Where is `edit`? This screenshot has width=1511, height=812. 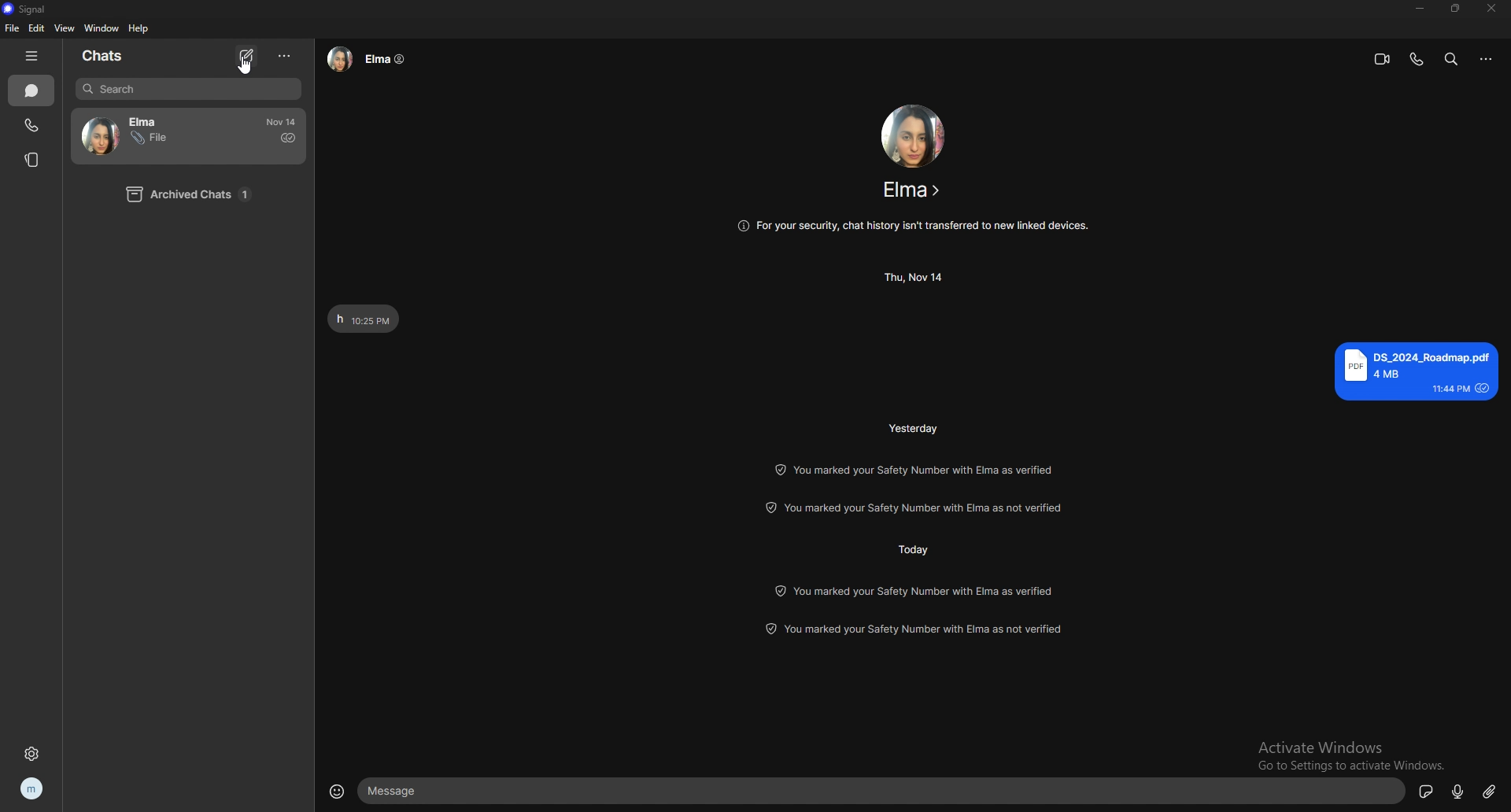
edit is located at coordinates (37, 29).